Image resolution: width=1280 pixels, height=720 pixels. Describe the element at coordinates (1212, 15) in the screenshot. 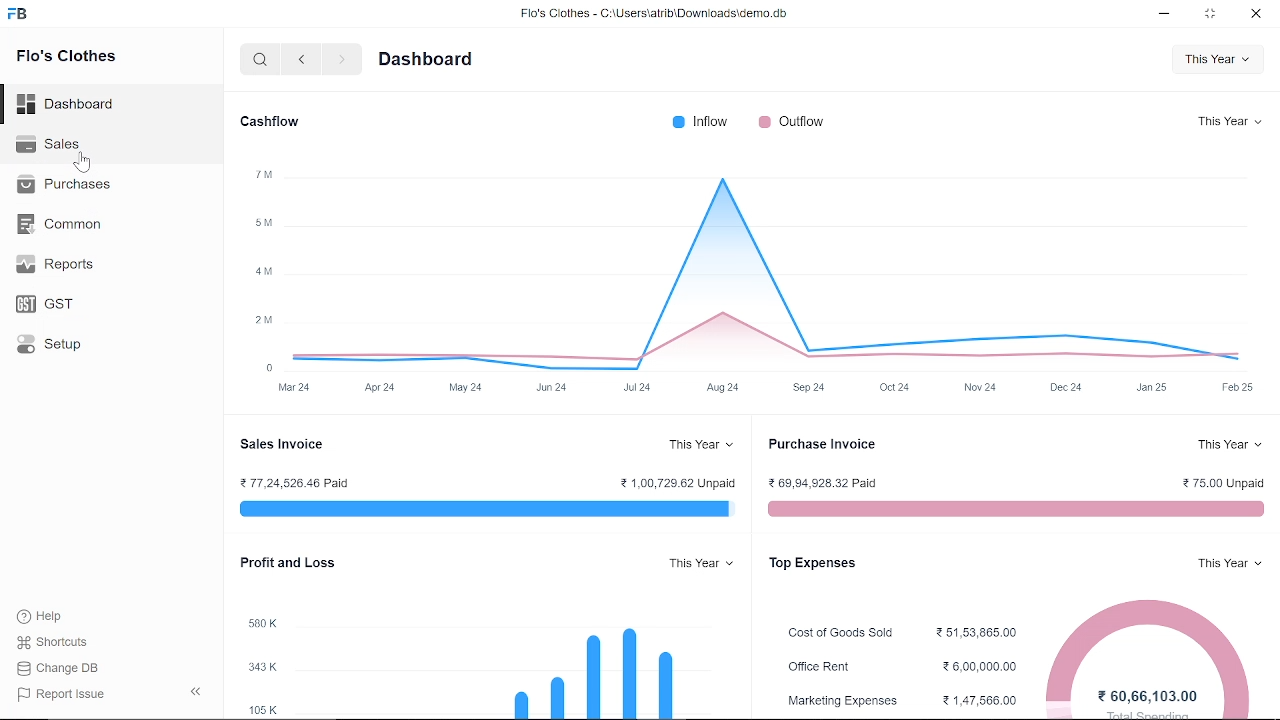

I see `restore down` at that location.